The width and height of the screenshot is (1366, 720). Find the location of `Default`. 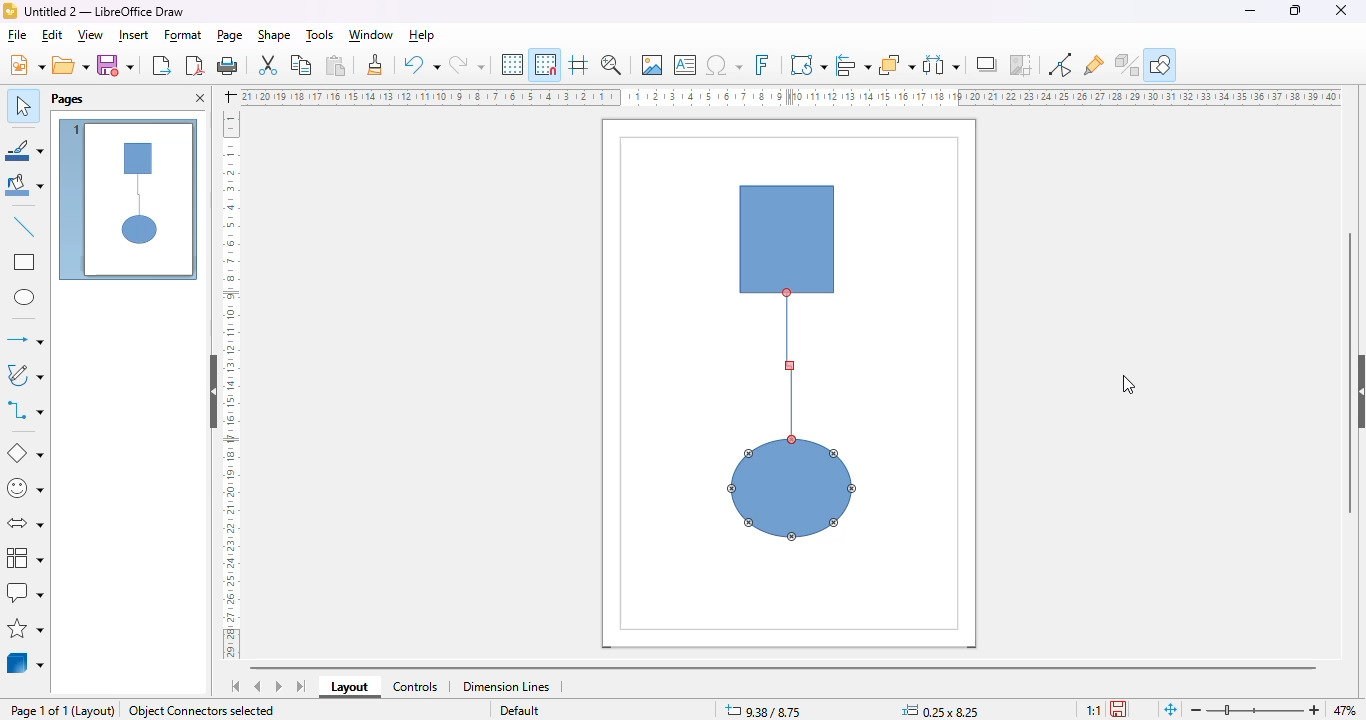

Default is located at coordinates (517, 711).